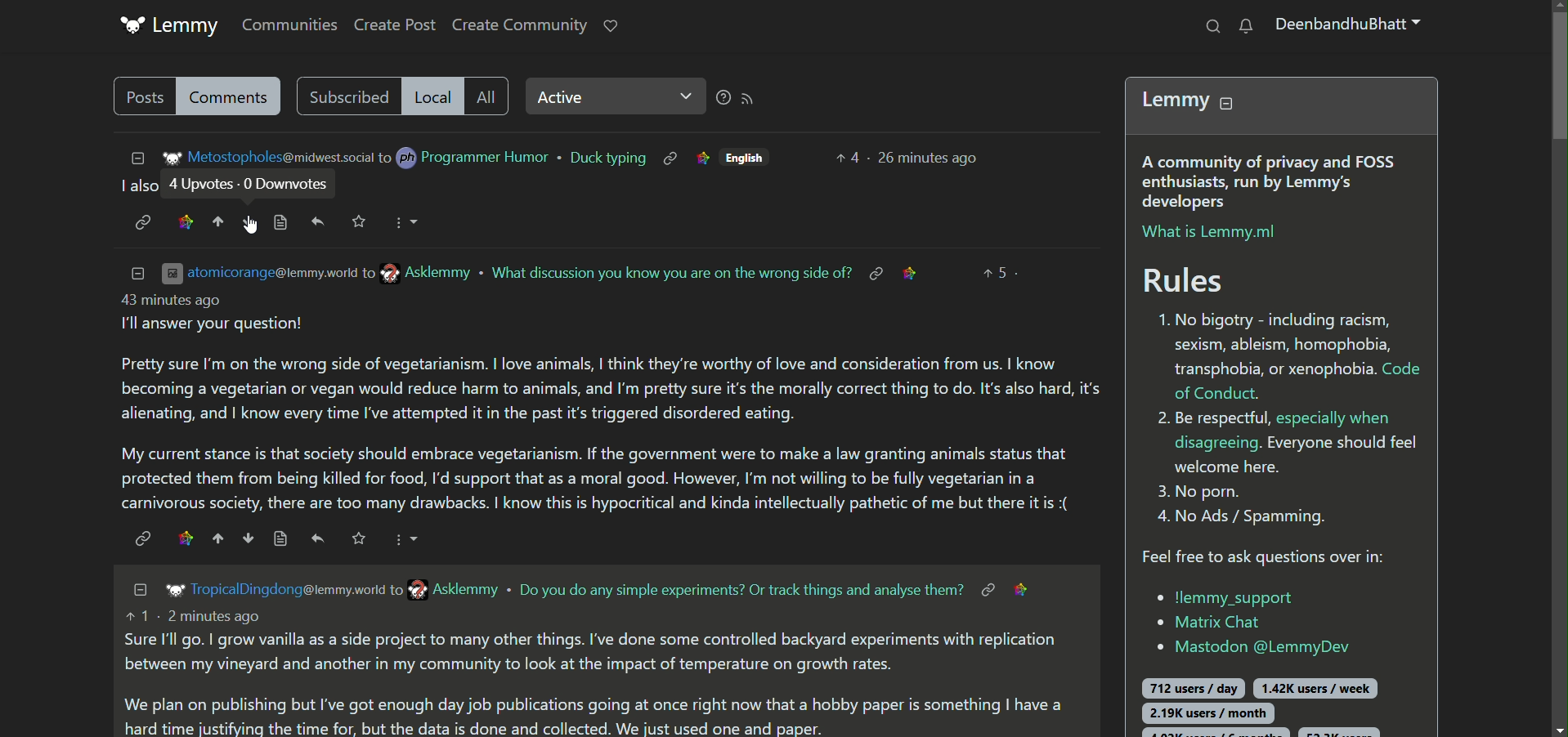  What do you see at coordinates (318, 539) in the screenshot?
I see `undo` at bounding box center [318, 539].